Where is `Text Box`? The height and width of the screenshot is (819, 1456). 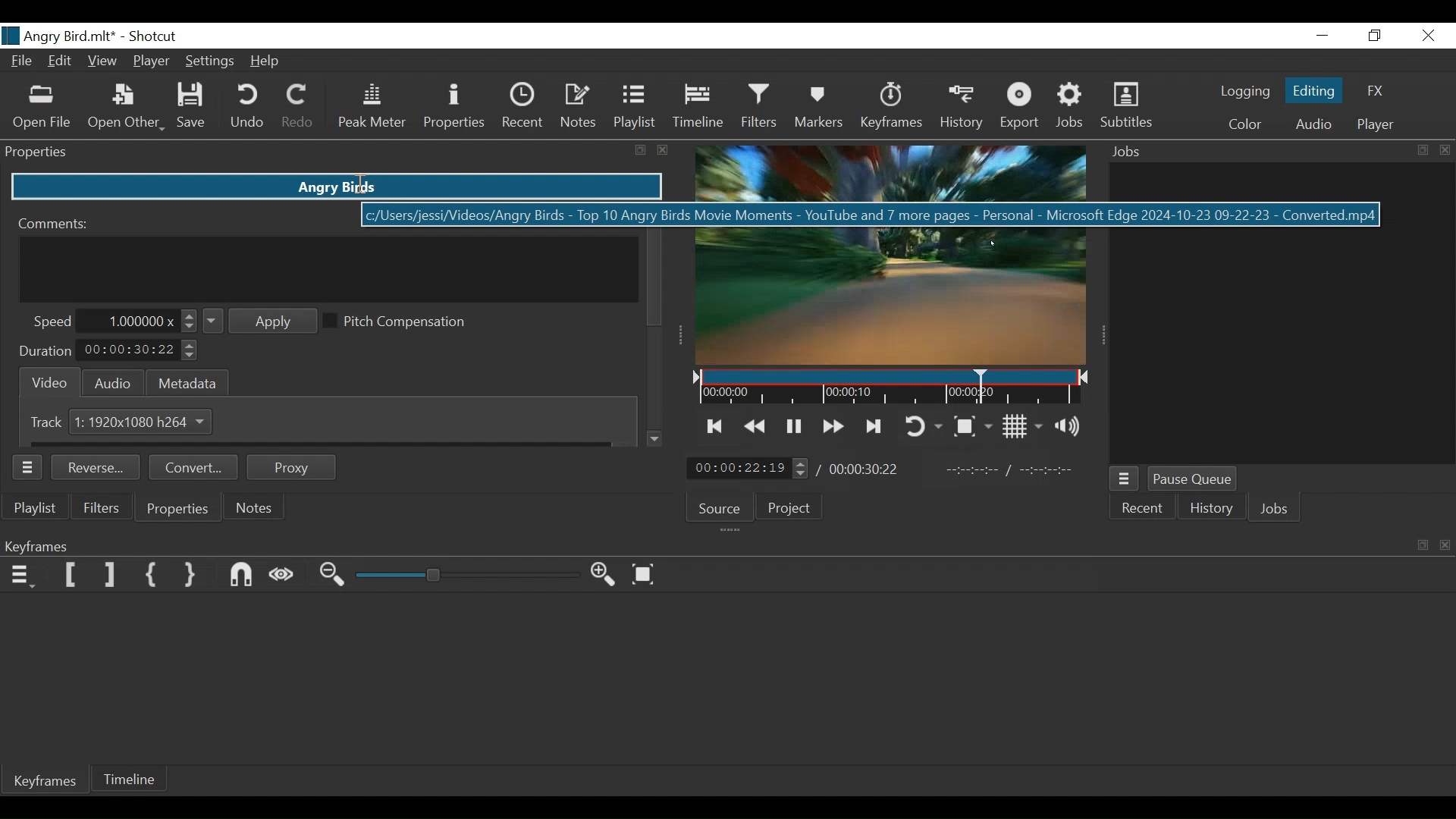
Text Box is located at coordinates (340, 187).